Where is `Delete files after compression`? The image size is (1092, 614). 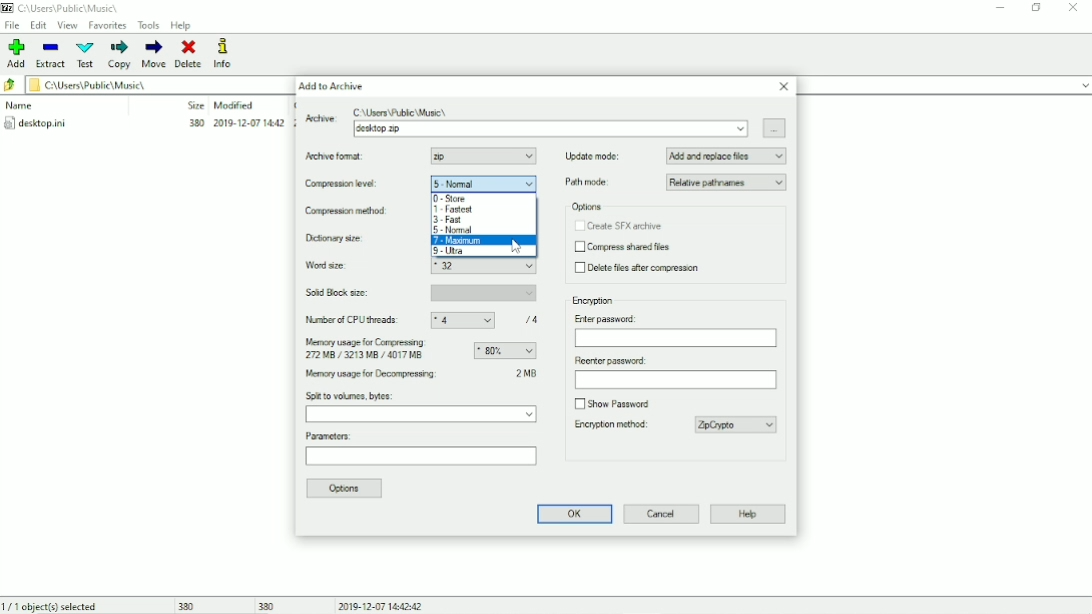
Delete files after compression is located at coordinates (641, 269).